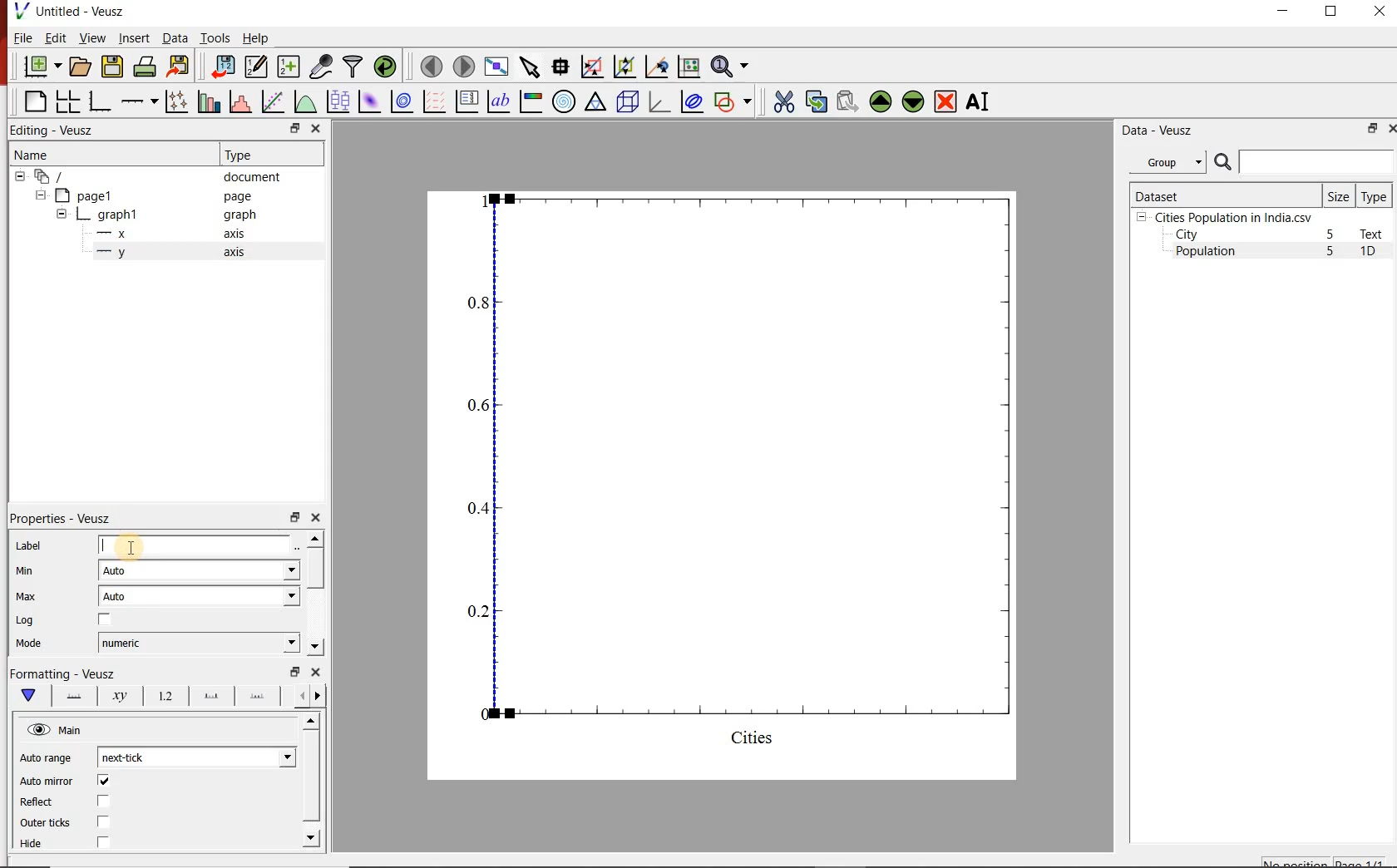 This screenshot has height=868, width=1397. I want to click on capture remote data, so click(319, 67).